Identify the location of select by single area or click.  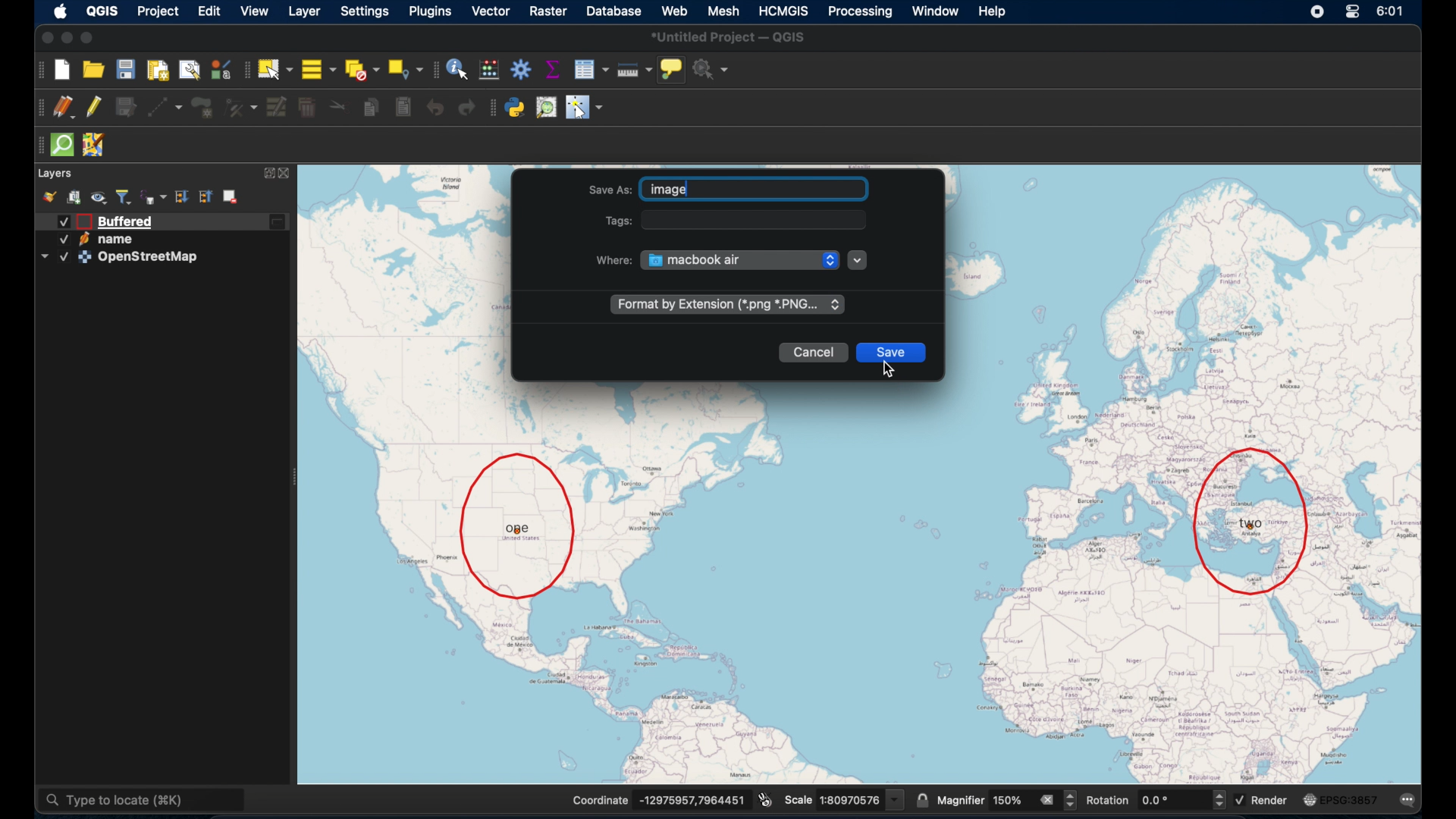
(274, 68).